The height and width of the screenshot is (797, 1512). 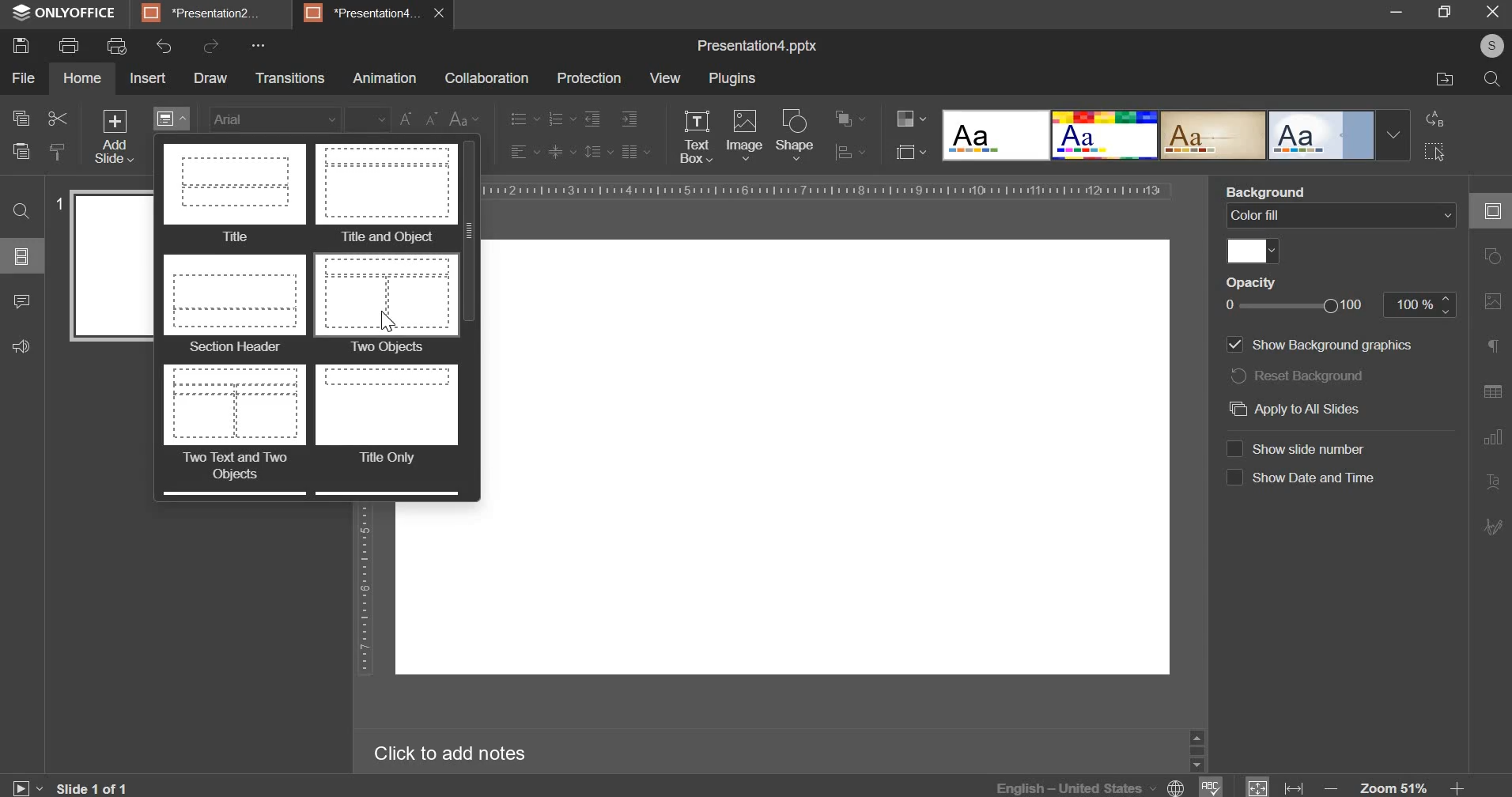 I want to click on opacity slider, so click(x=1297, y=306).